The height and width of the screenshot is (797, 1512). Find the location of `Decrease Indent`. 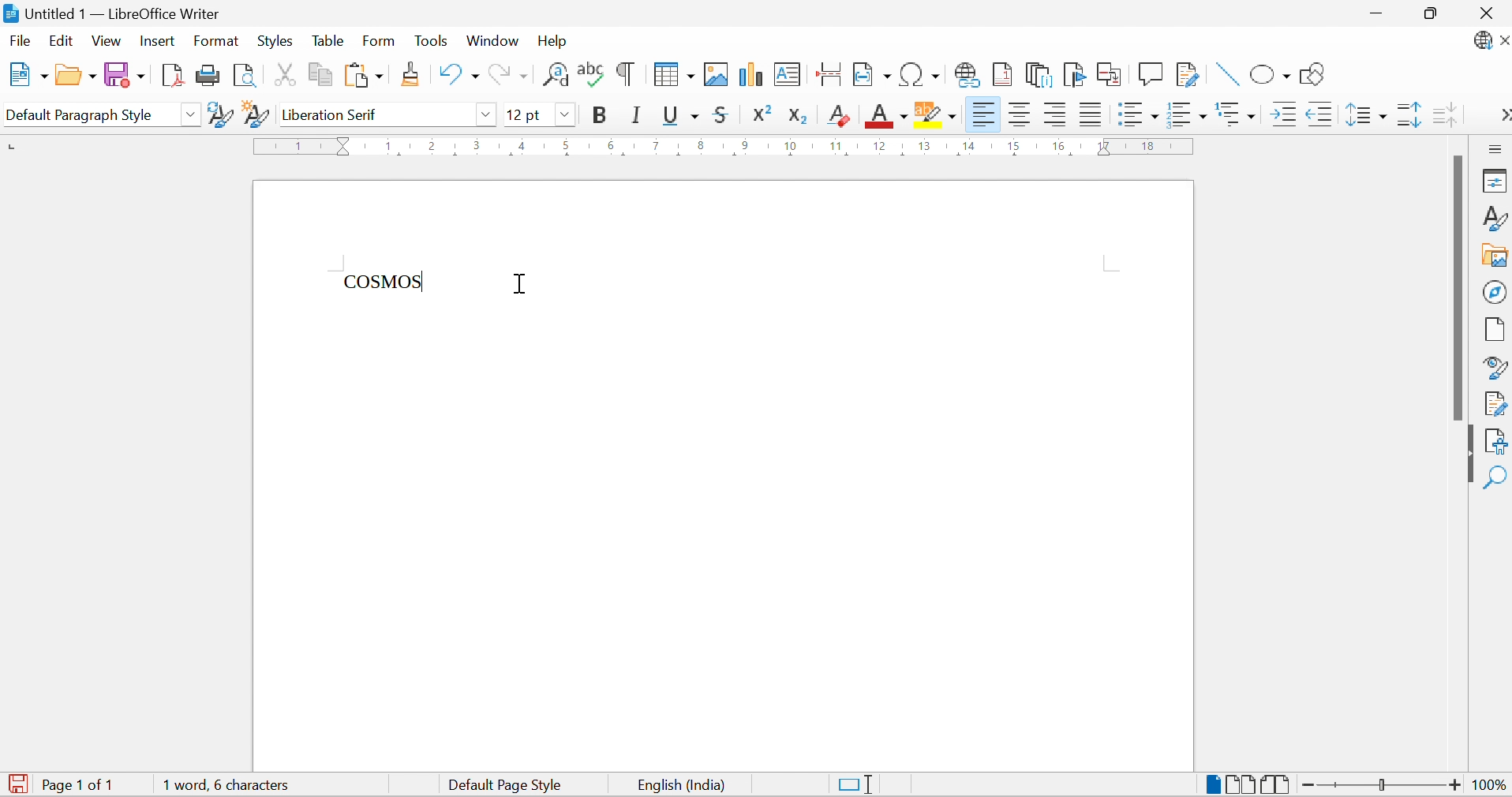

Decrease Indent is located at coordinates (1319, 115).